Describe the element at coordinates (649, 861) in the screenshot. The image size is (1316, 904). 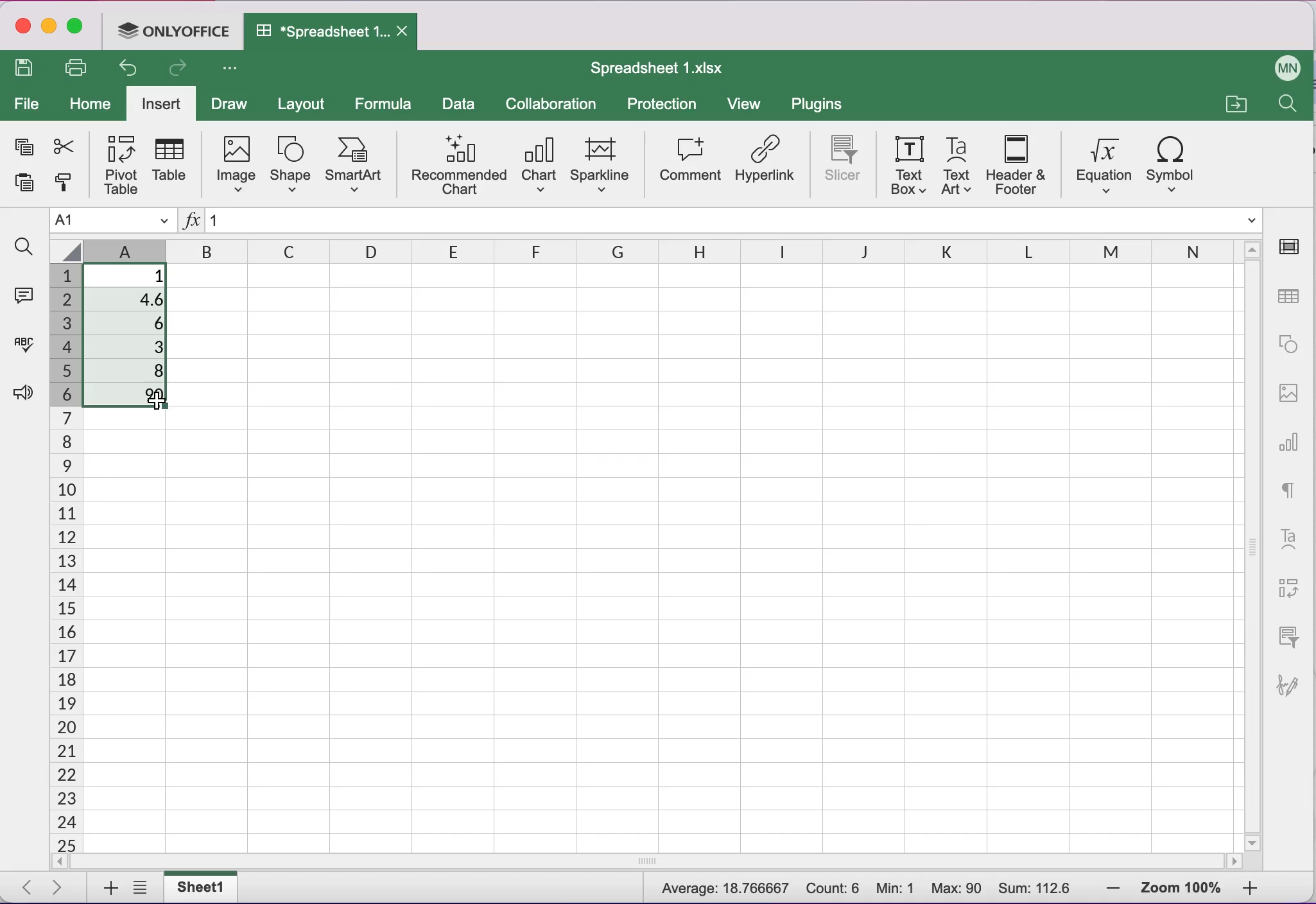
I see `horizontal scrollbar` at that location.